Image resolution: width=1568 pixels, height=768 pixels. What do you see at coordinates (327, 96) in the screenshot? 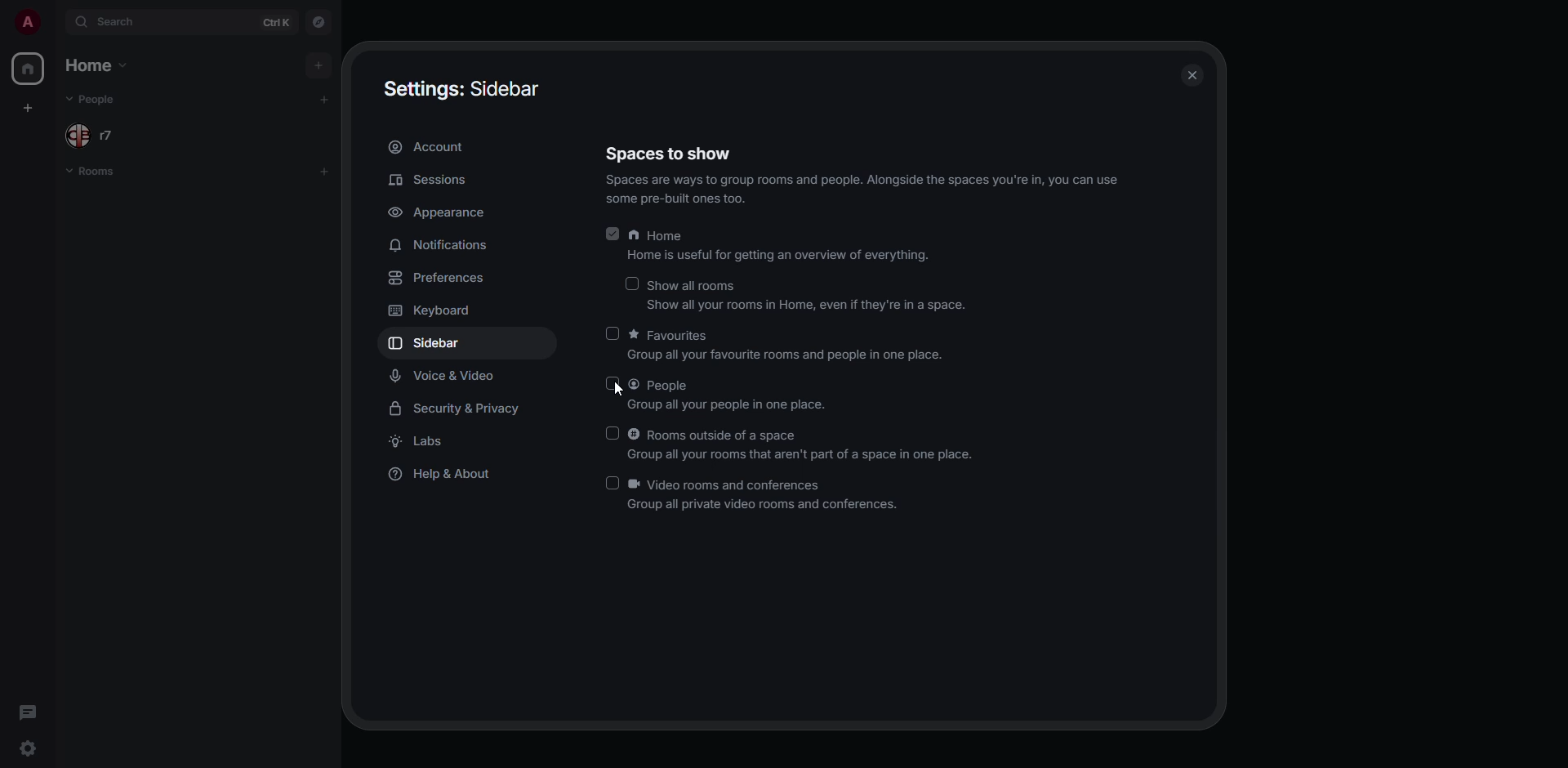
I see `add` at bounding box center [327, 96].